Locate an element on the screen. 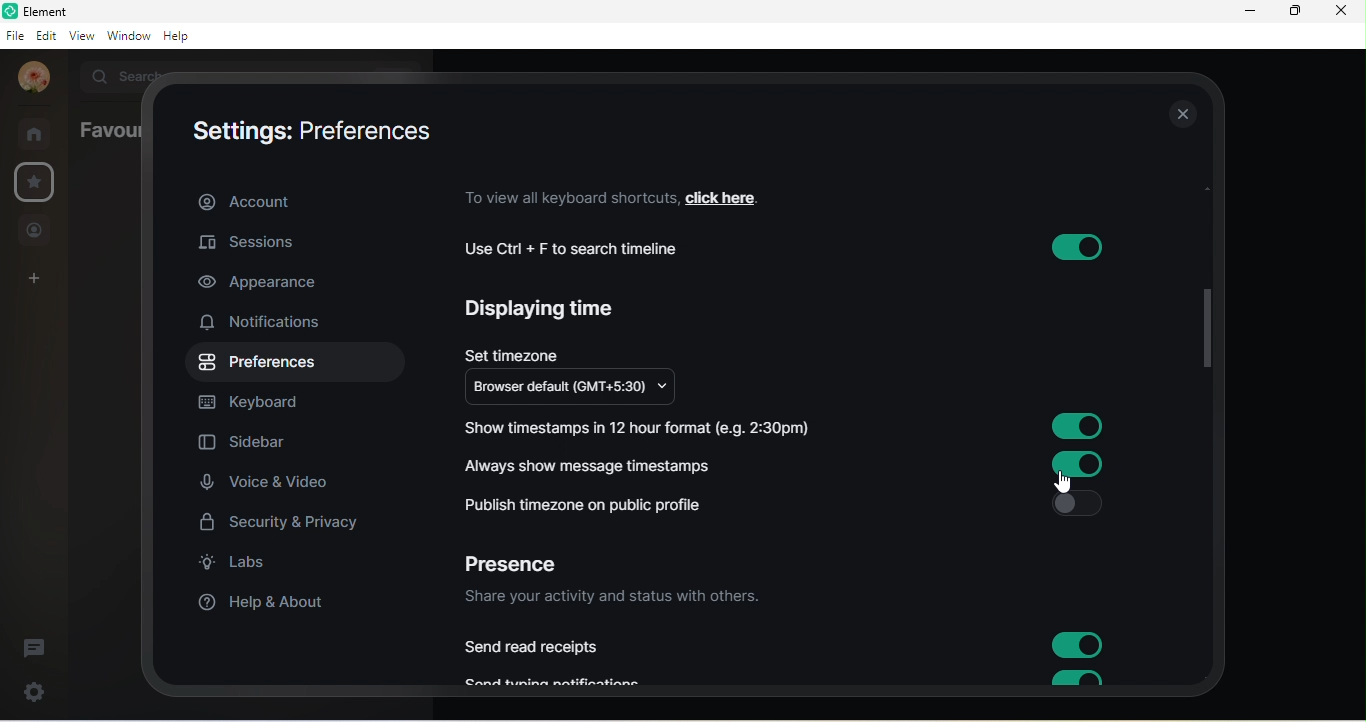 Image resolution: width=1366 pixels, height=722 pixels. people is located at coordinates (37, 230).